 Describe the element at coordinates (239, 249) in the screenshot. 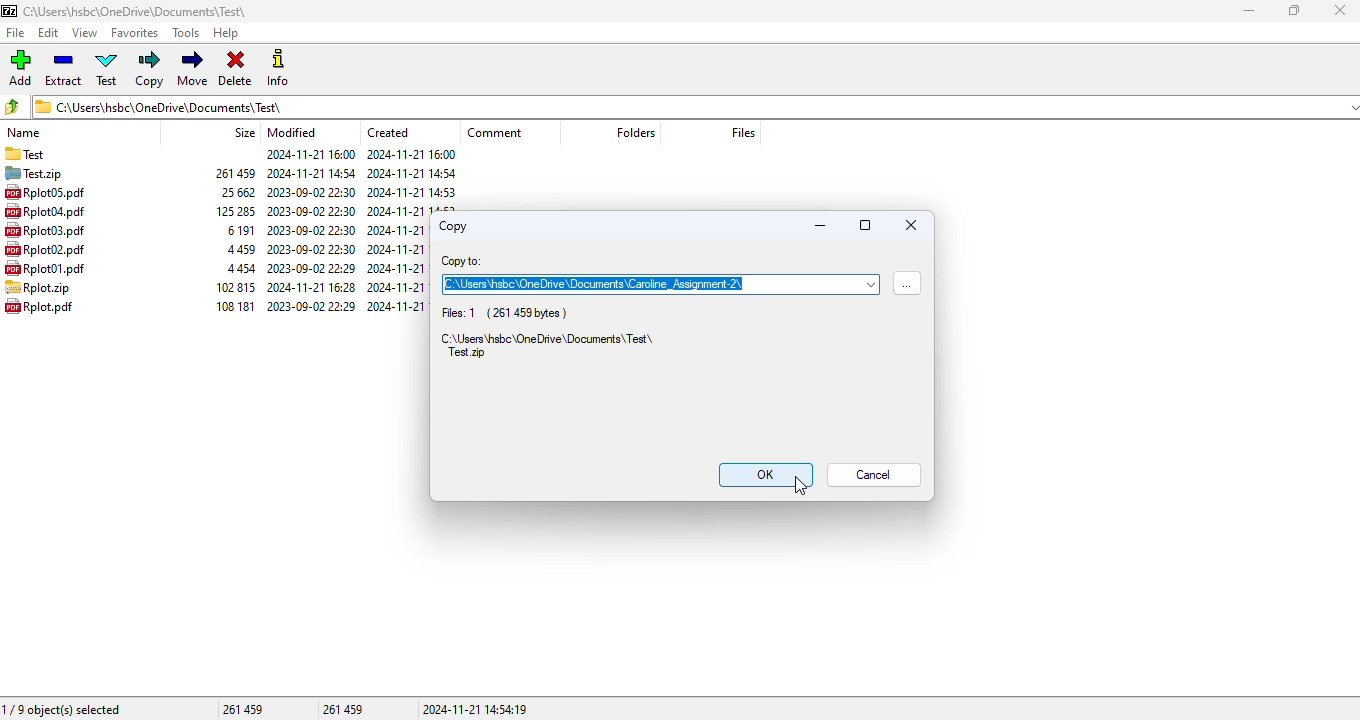

I see `size` at that location.